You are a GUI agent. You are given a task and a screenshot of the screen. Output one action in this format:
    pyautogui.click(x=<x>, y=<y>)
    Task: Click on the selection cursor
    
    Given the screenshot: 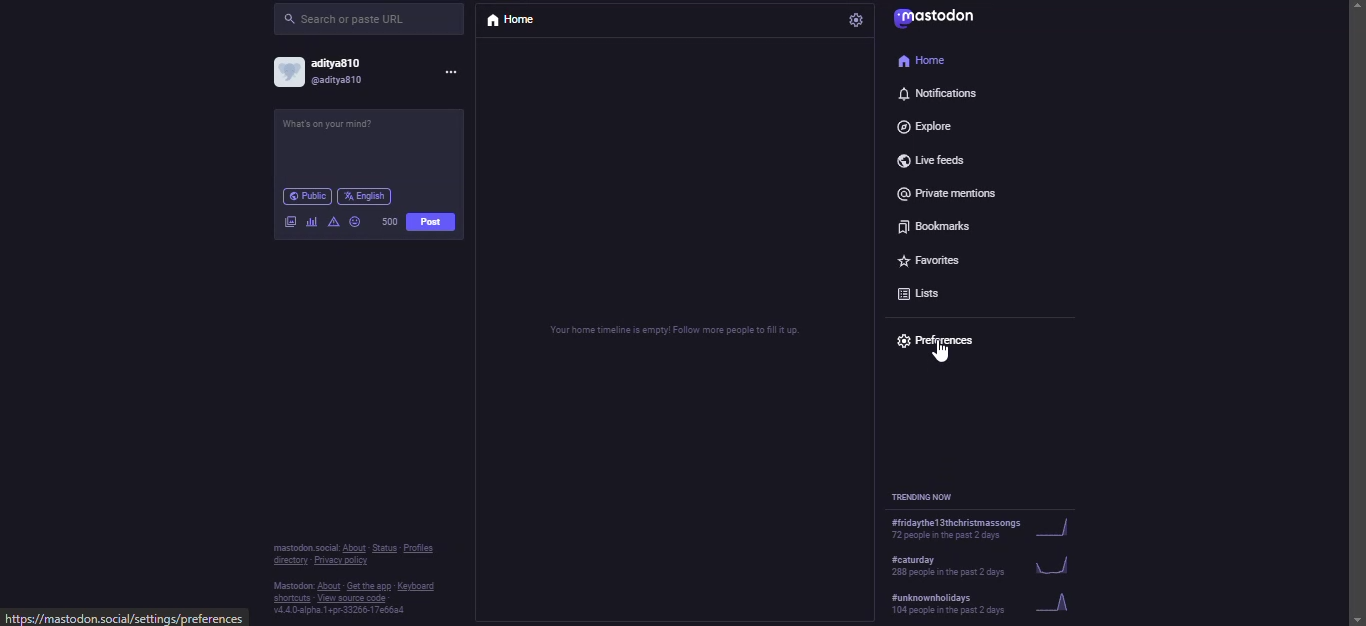 What is the action you would take?
    pyautogui.click(x=940, y=352)
    